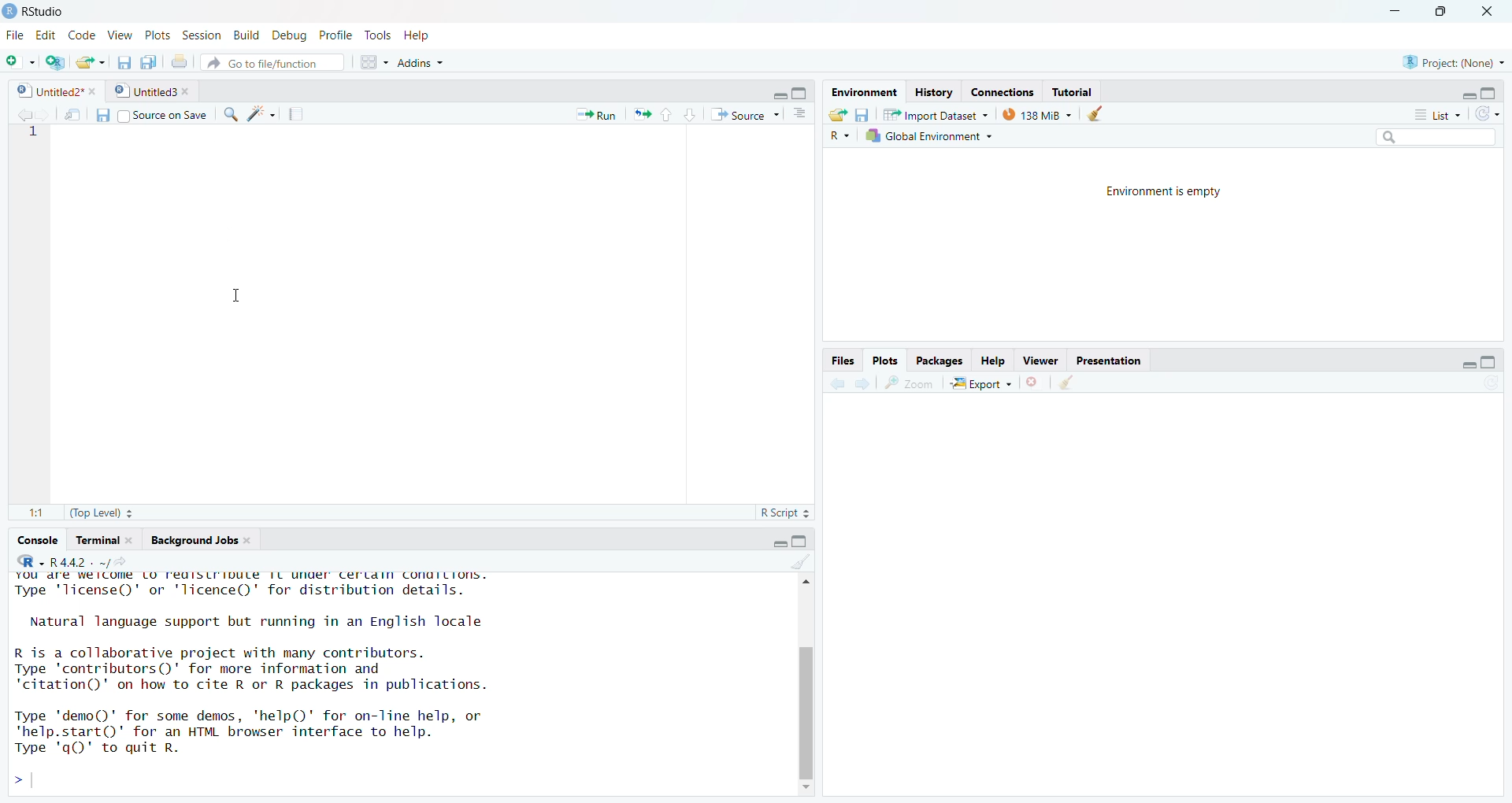 This screenshot has width=1512, height=803. Describe the element at coordinates (976, 383) in the screenshot. I see `Export ` at that location.